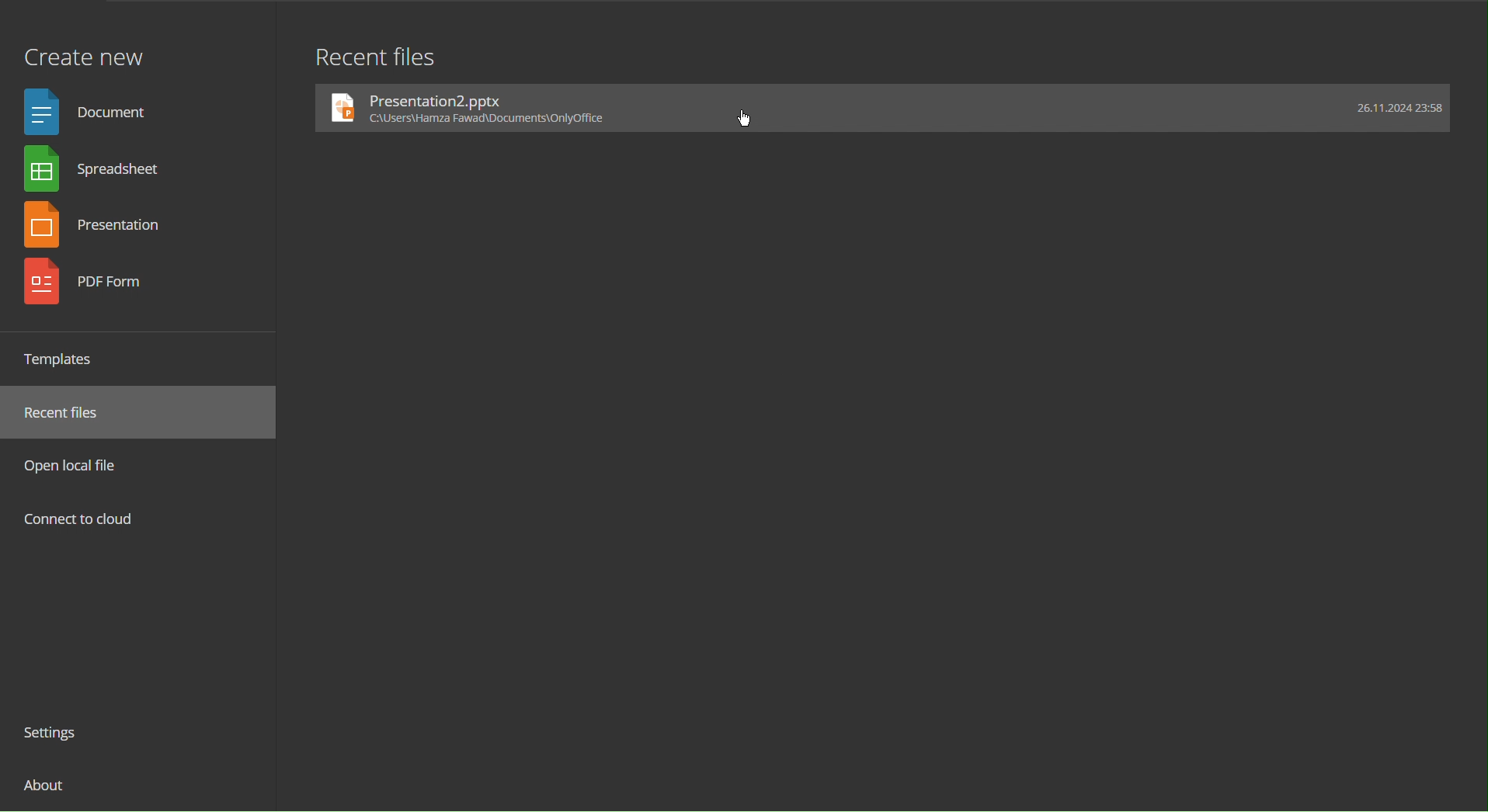 The height and width of the screenshot is (812, 1488). Describe the element at coordinates (99, 283) in the screenshot. I see `PDF Form` at that location.